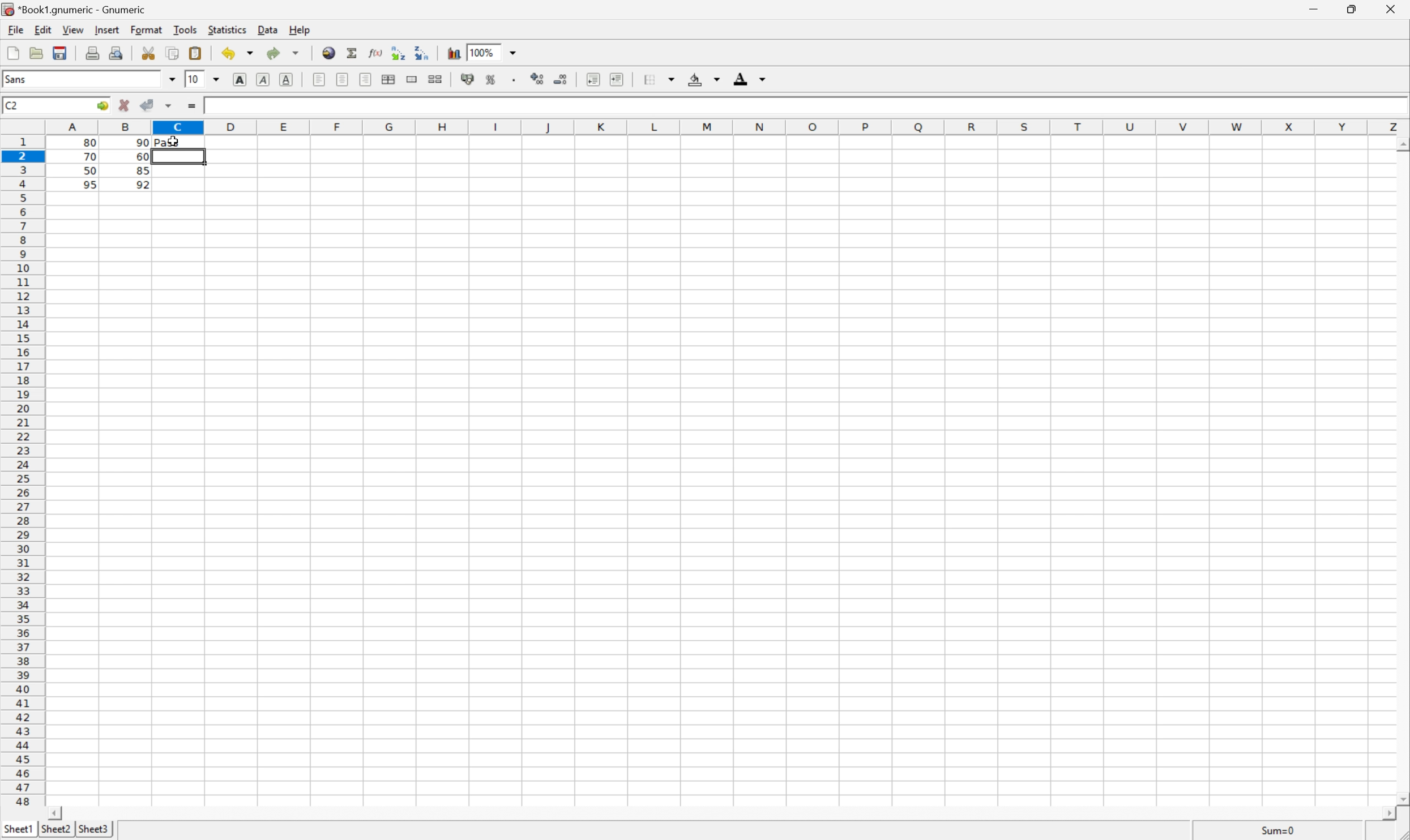 This screenshot has width=1410, height=840. I want to click on Increase indent, and align the contents to the left, so click(593, 78).